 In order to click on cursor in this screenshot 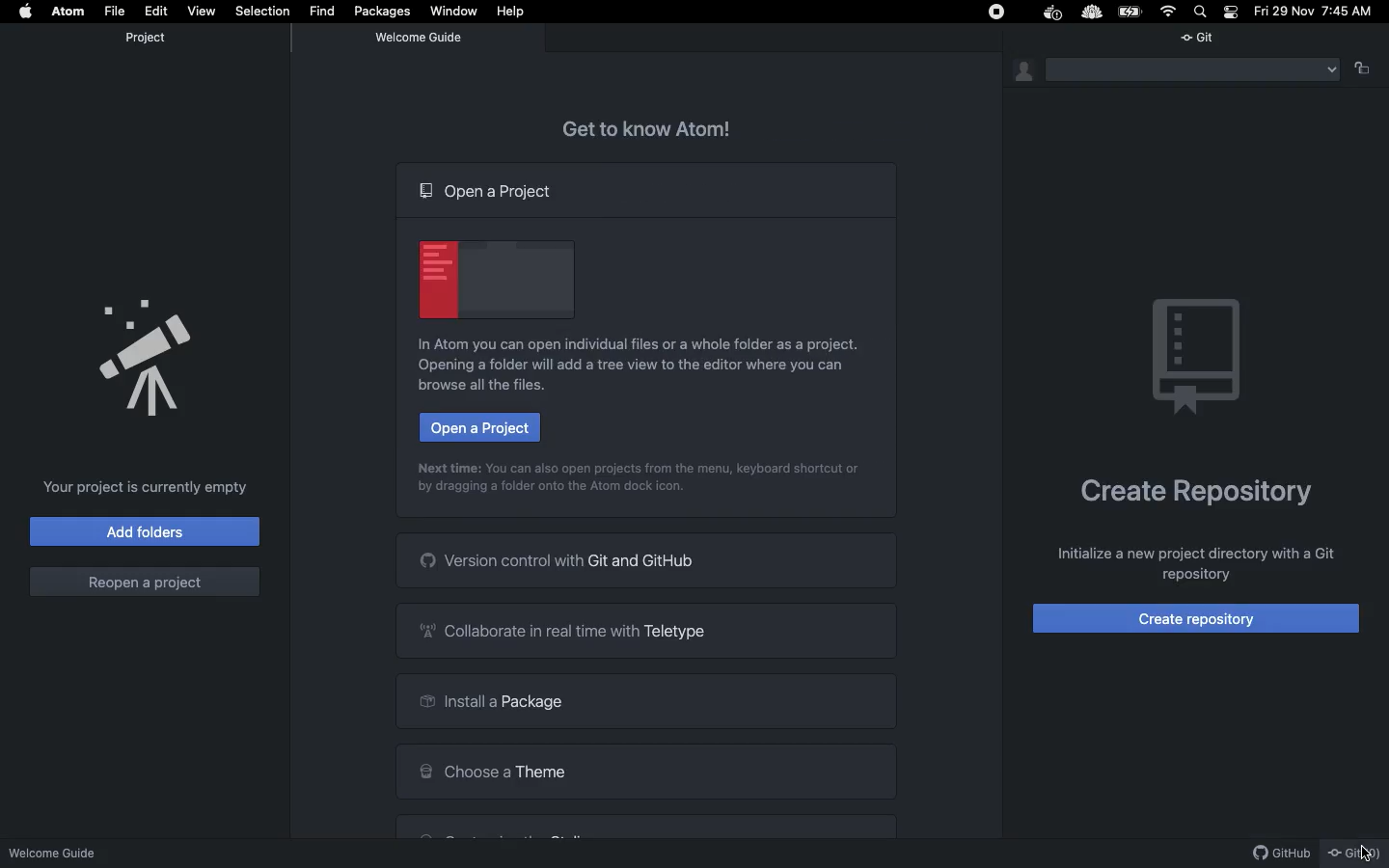, I will do `click(1364, 851)`.